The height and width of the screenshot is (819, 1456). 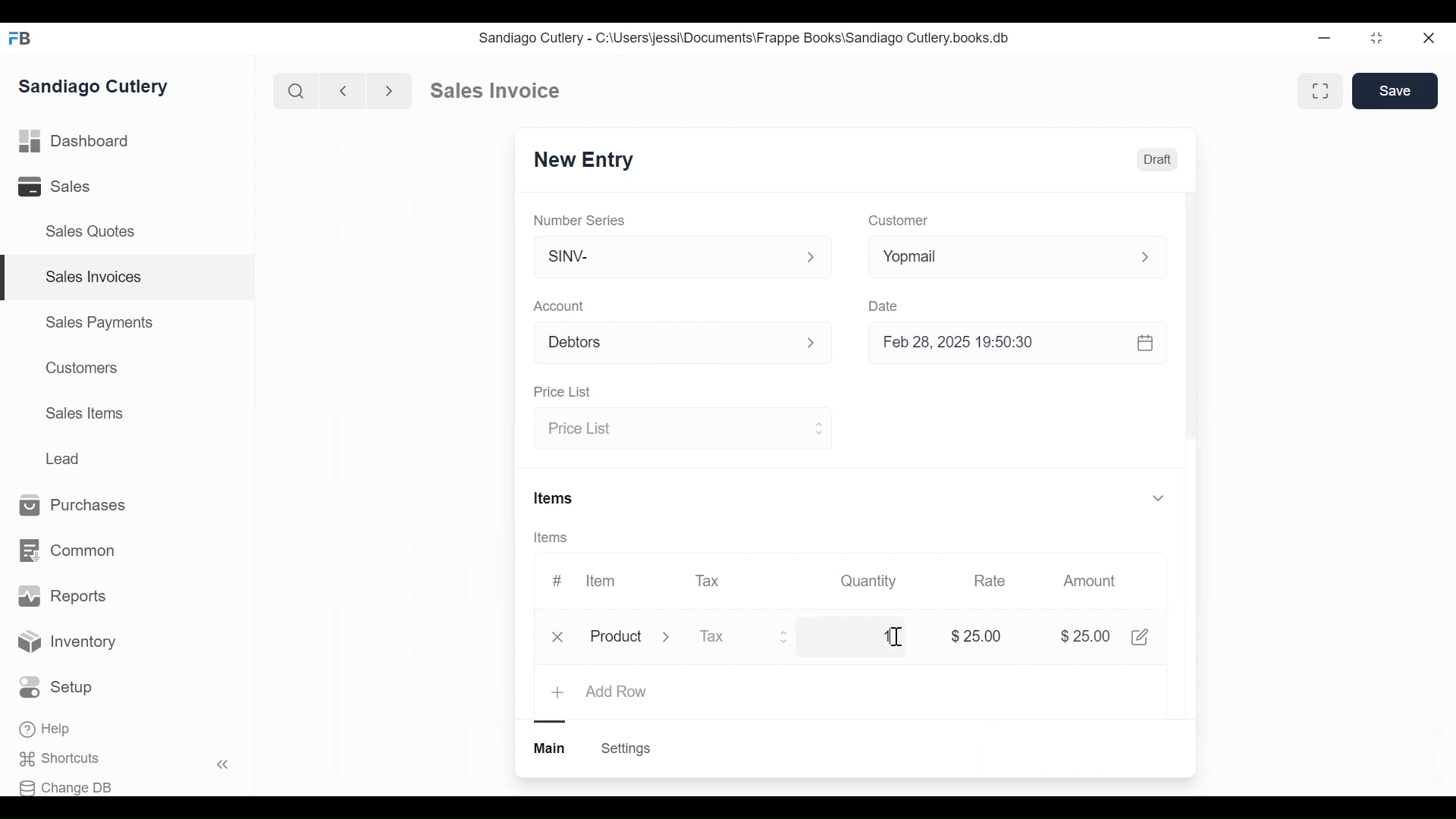 What do you see at coordinates (1430, 39) in the screenshot?
I see `close` at bounding box center [1430, 39].